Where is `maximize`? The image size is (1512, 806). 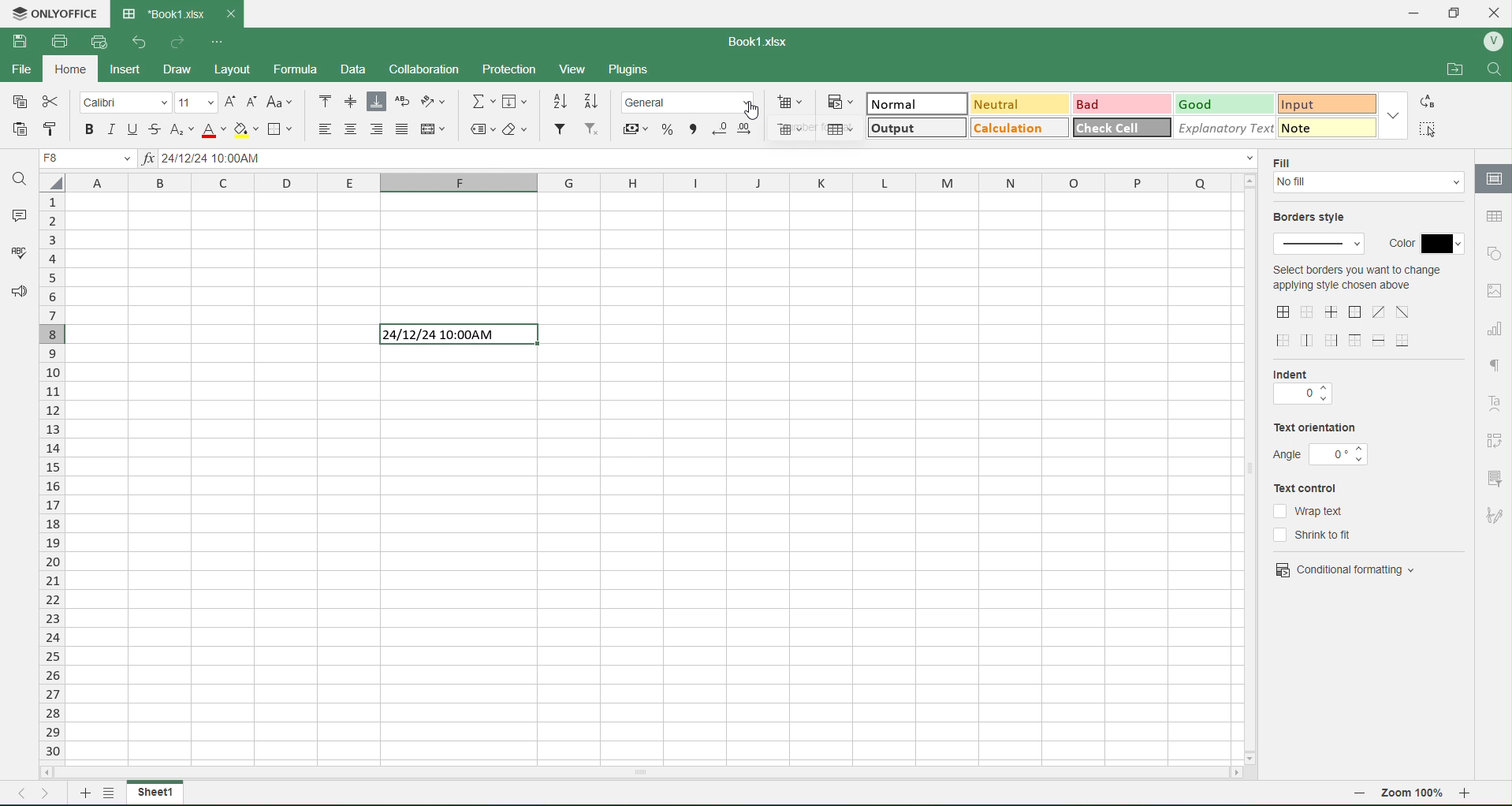 maximize is located at coordinates (1460, 11).